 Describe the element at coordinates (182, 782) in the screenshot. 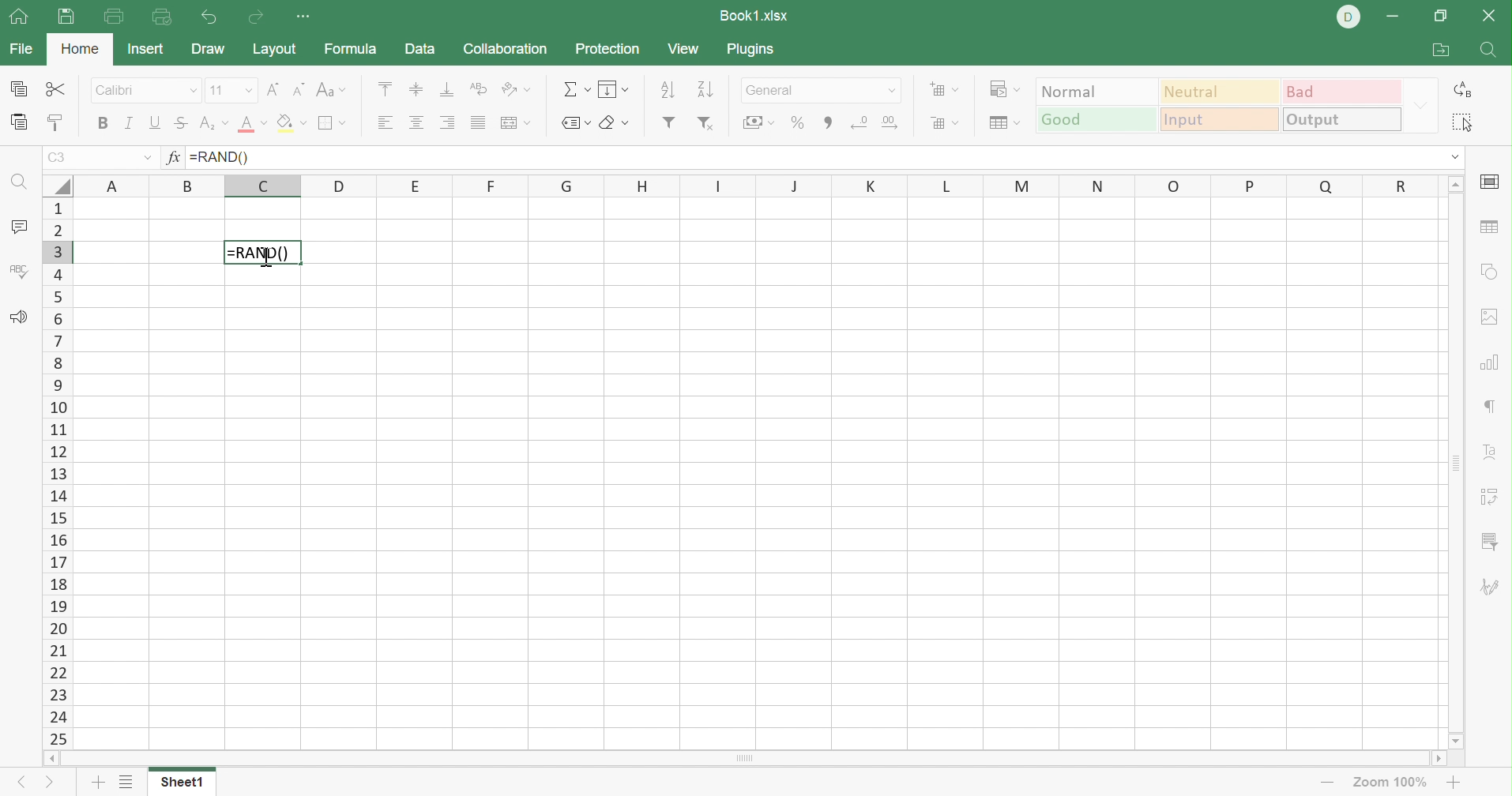

I see `Sheet1` at that location.